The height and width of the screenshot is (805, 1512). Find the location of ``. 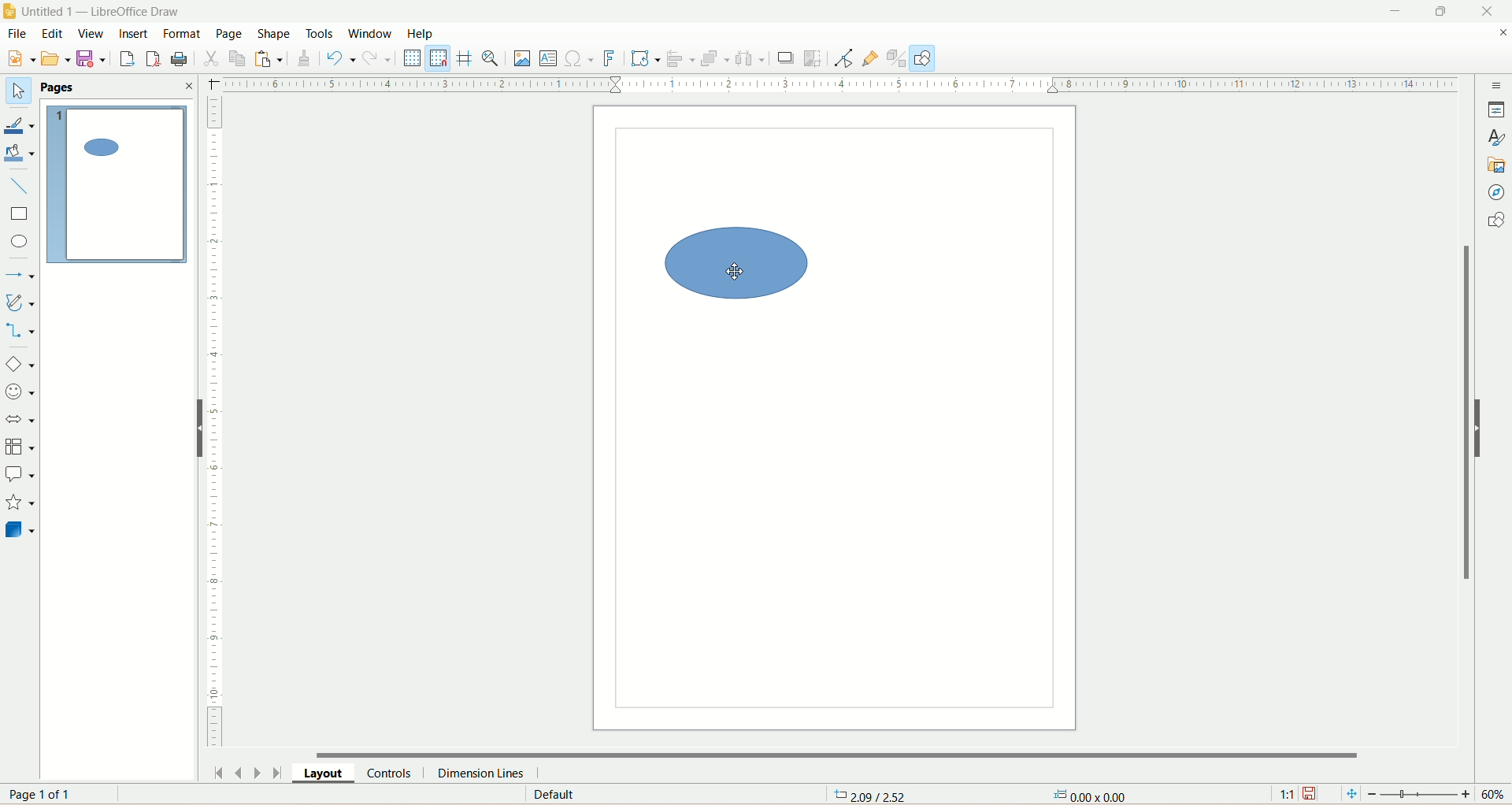

 is located at coordinates (522, 58).